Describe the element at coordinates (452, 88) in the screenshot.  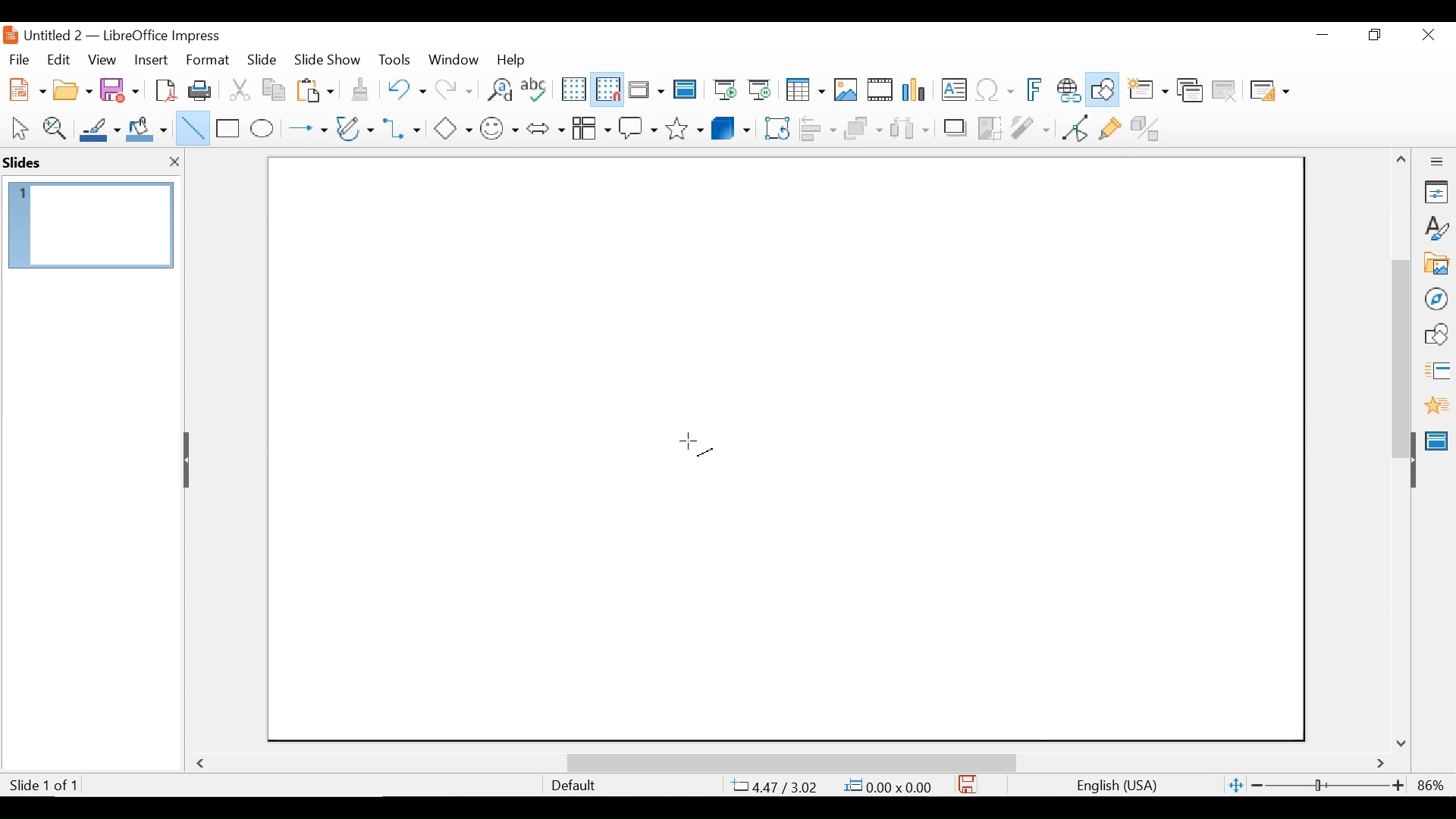
I see `Redo` at that location.